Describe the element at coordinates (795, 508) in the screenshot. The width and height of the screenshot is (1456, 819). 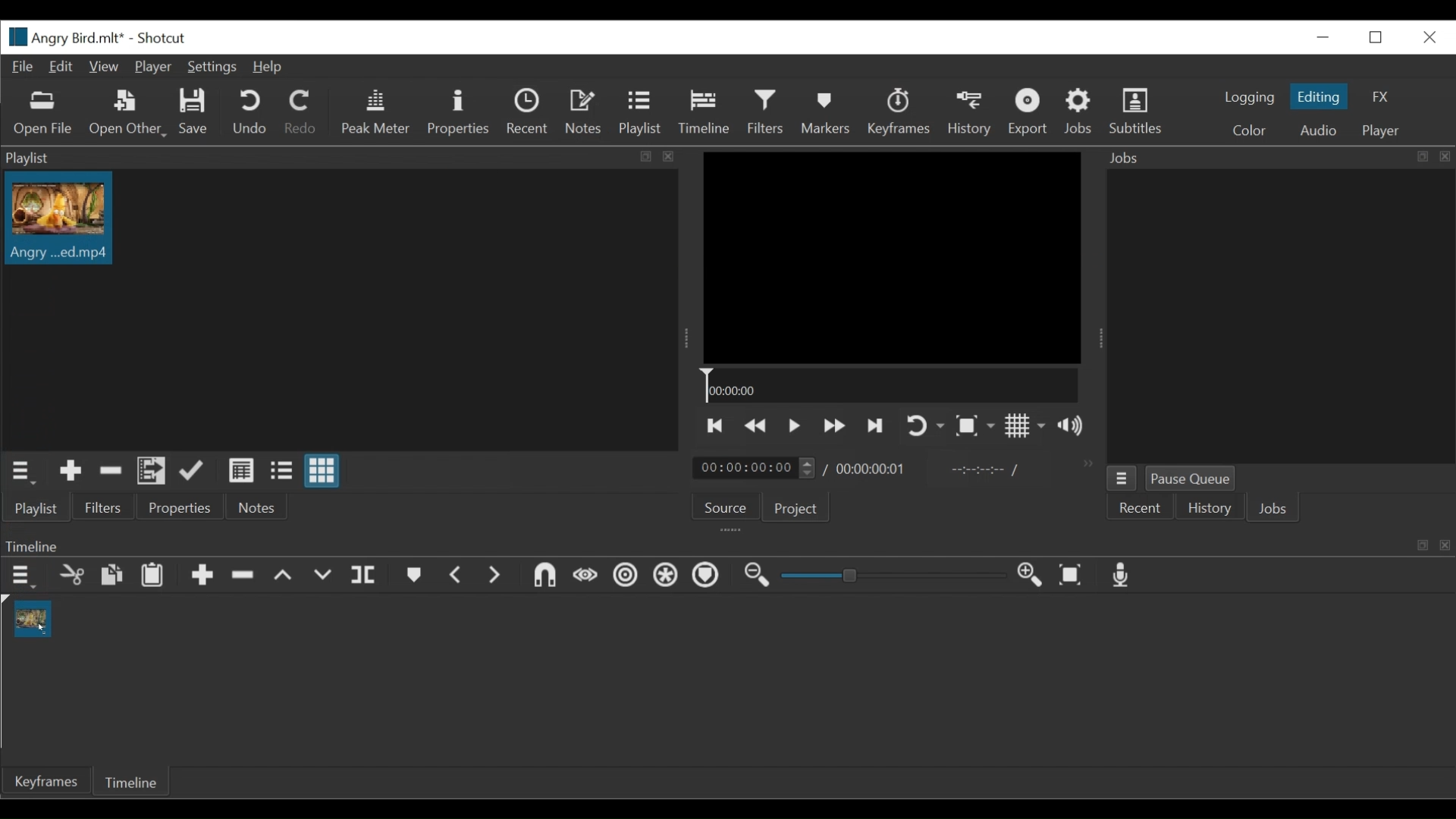
I see `Project` at that location.